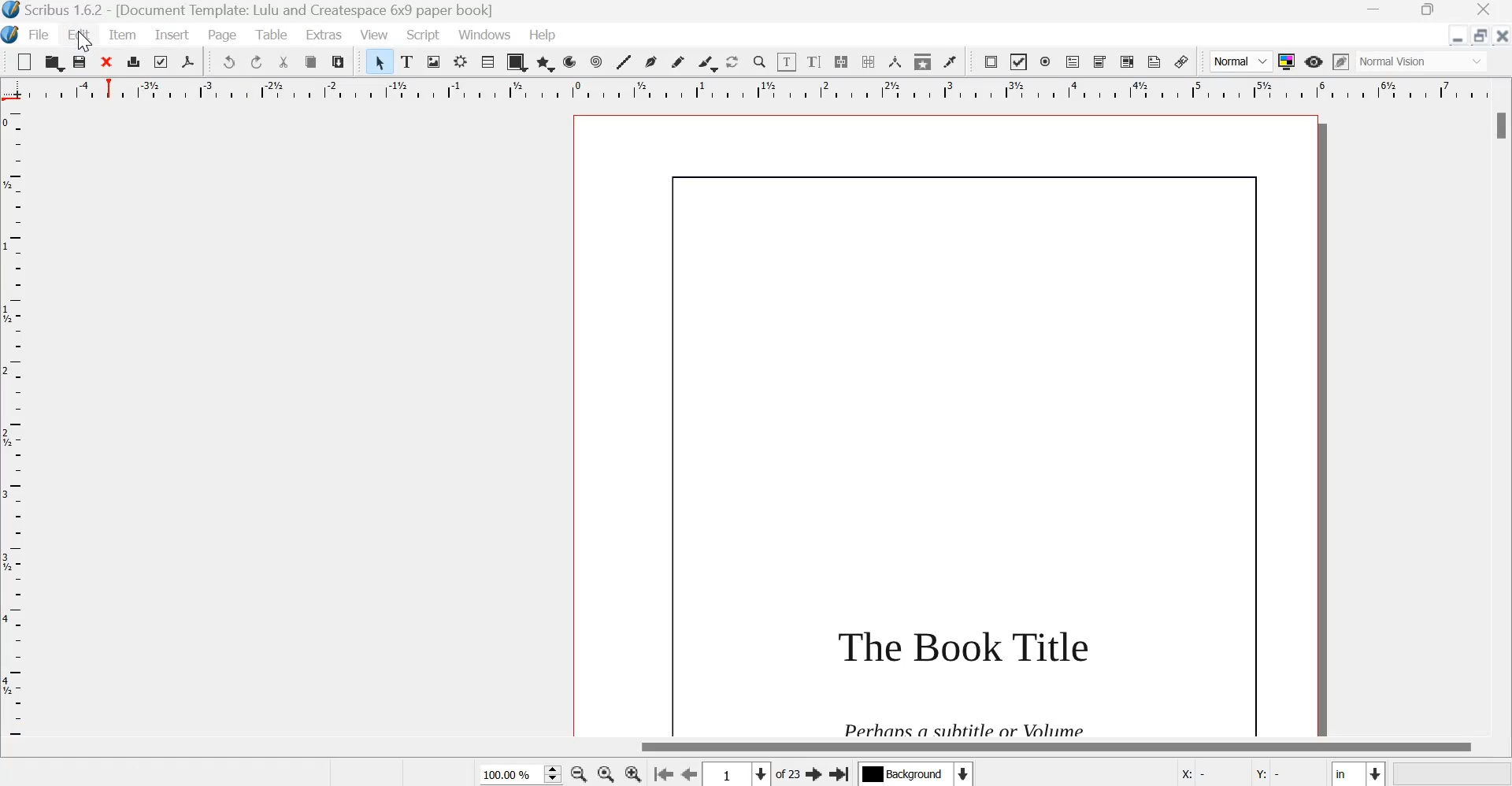  What do you see at coordinates (1017, 61) in the screenshot?
I see `PDF check box` at bounding box center [1017, 61].